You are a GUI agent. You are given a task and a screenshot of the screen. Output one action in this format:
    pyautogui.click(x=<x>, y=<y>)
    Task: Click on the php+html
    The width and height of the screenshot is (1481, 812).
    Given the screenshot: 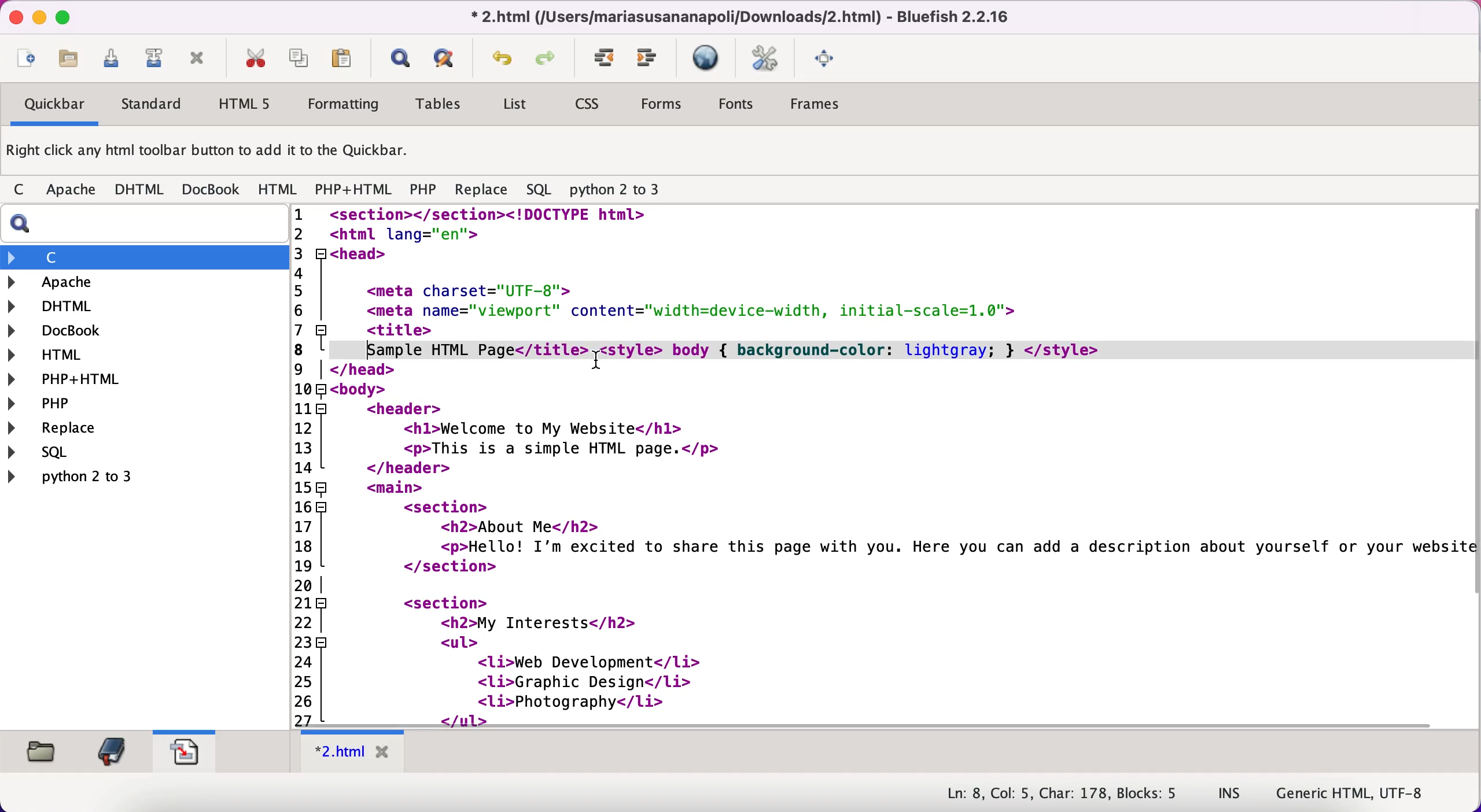 What is the action you would take?
    pyautogui.click(x=355, y=191)
    